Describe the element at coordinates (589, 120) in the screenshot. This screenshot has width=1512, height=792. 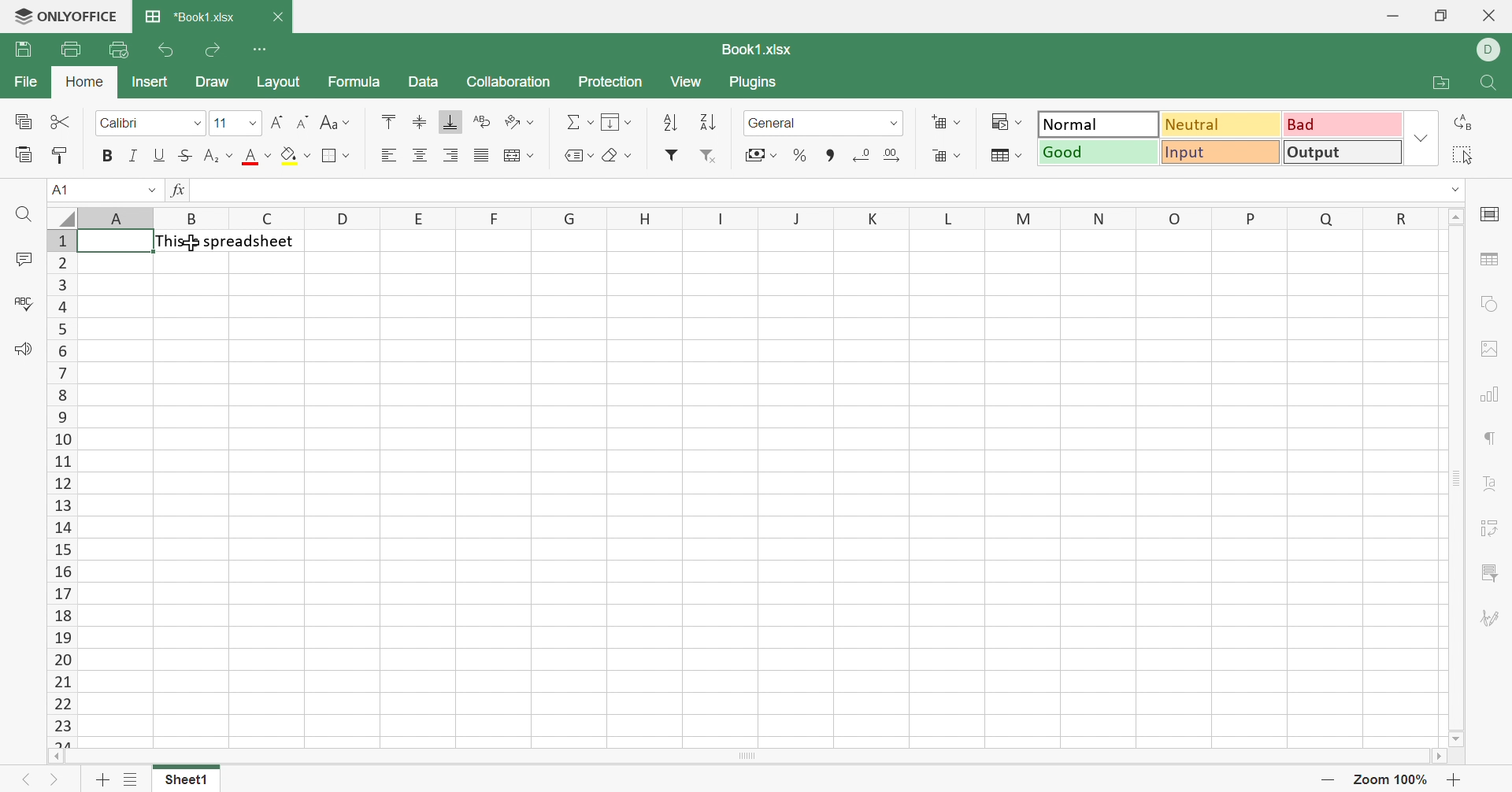
I see `Drop Down` at that location.